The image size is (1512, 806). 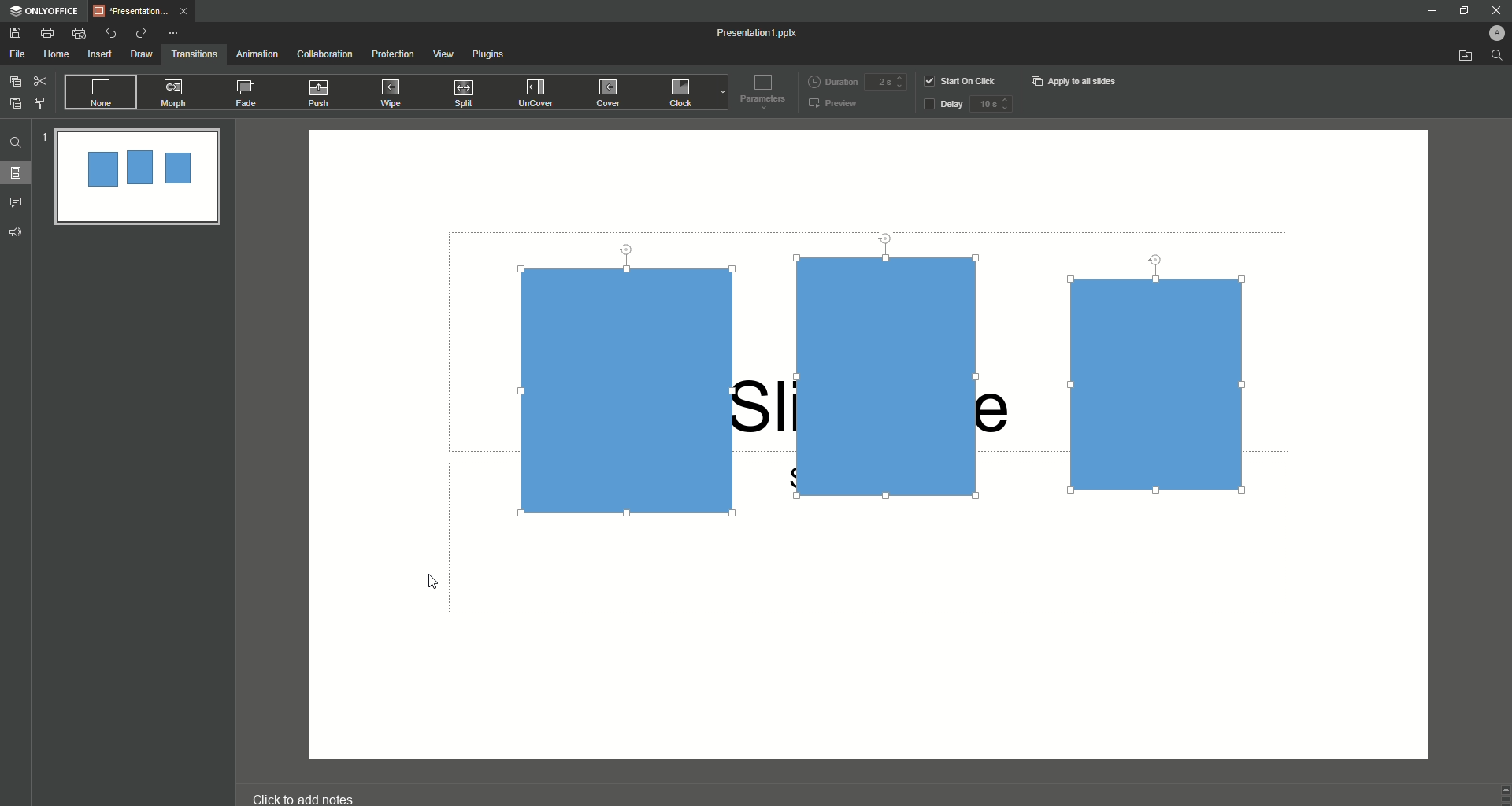 I want to click on Transitions, so click(x=195, y=53).